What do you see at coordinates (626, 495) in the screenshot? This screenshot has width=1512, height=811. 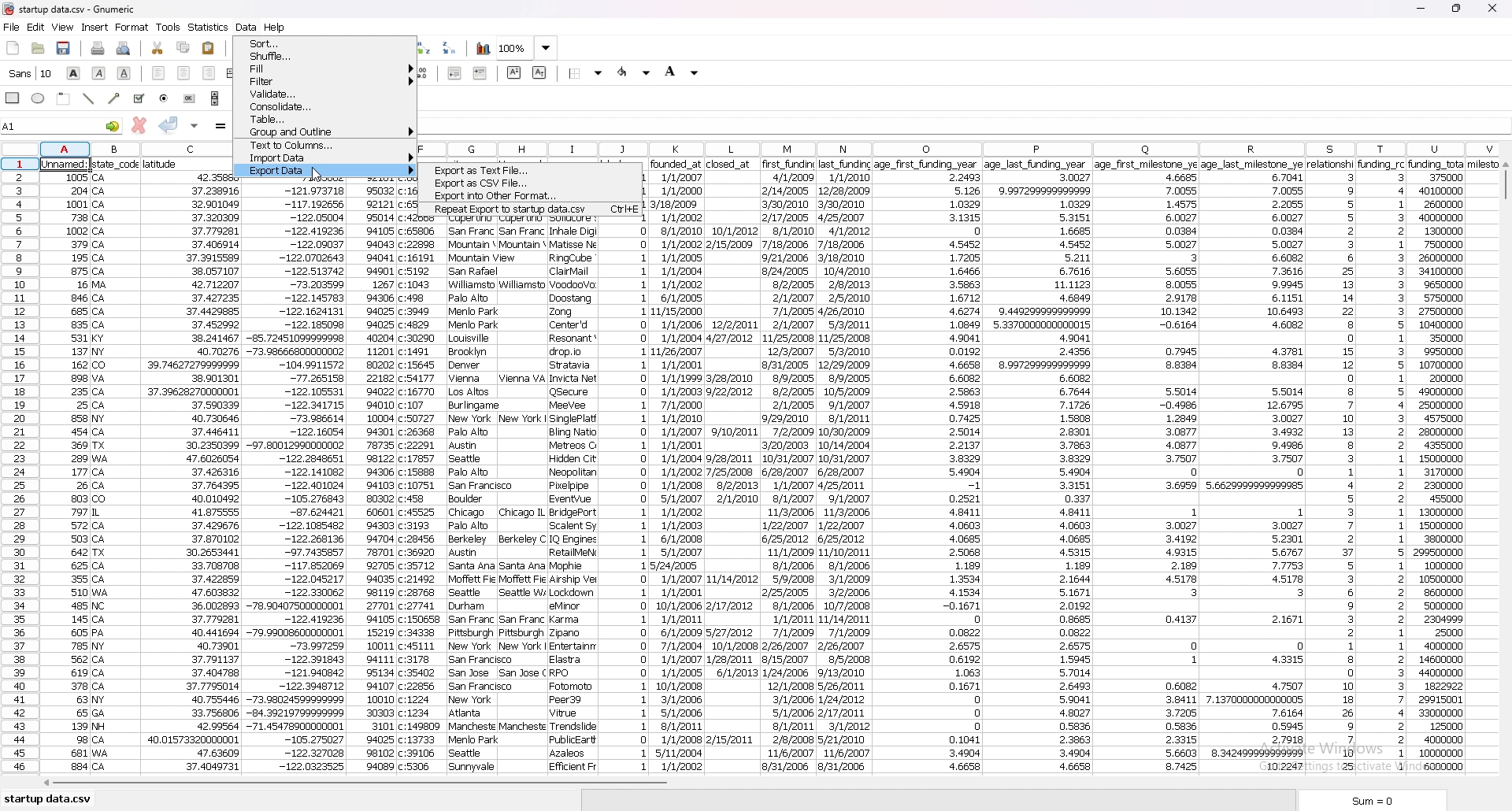 I see `data` at bounding box center [626, 495].